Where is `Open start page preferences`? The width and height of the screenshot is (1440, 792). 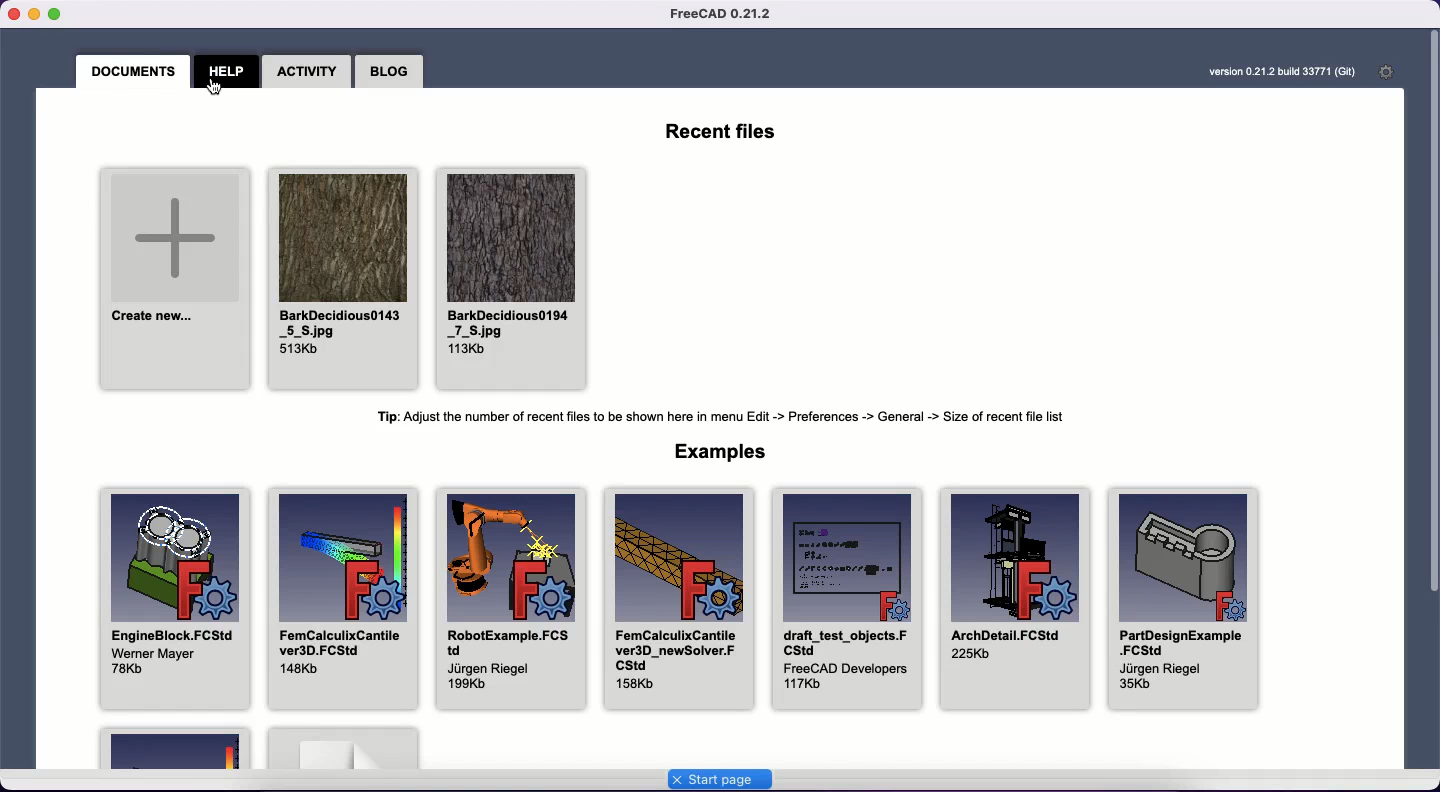 Open start page preferences is located at coordinates (1387, 72).